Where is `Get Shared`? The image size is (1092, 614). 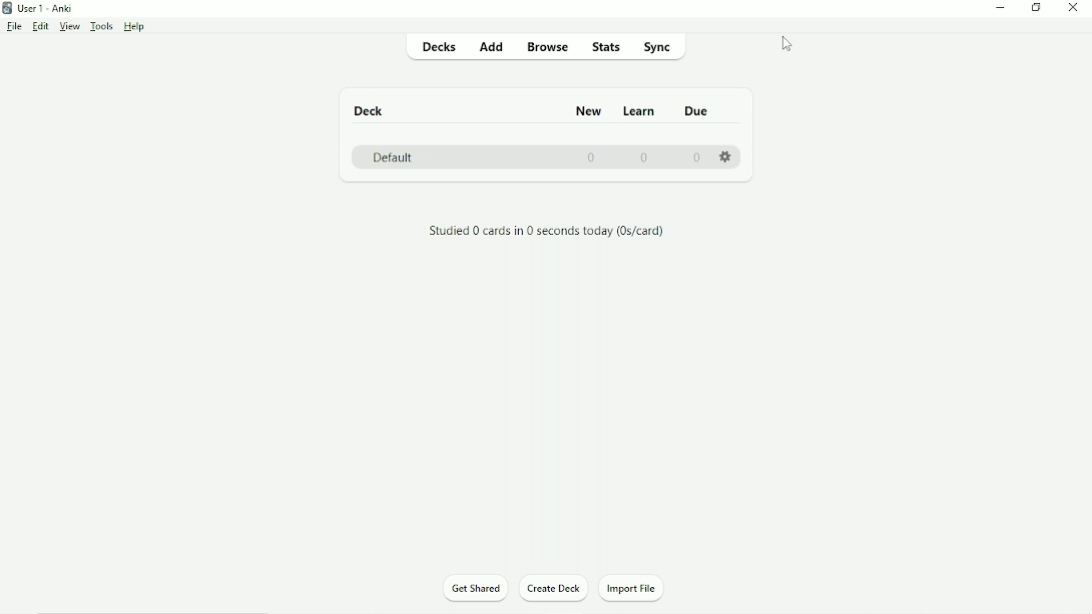
Get Shared is located at coordinates (476, 589).